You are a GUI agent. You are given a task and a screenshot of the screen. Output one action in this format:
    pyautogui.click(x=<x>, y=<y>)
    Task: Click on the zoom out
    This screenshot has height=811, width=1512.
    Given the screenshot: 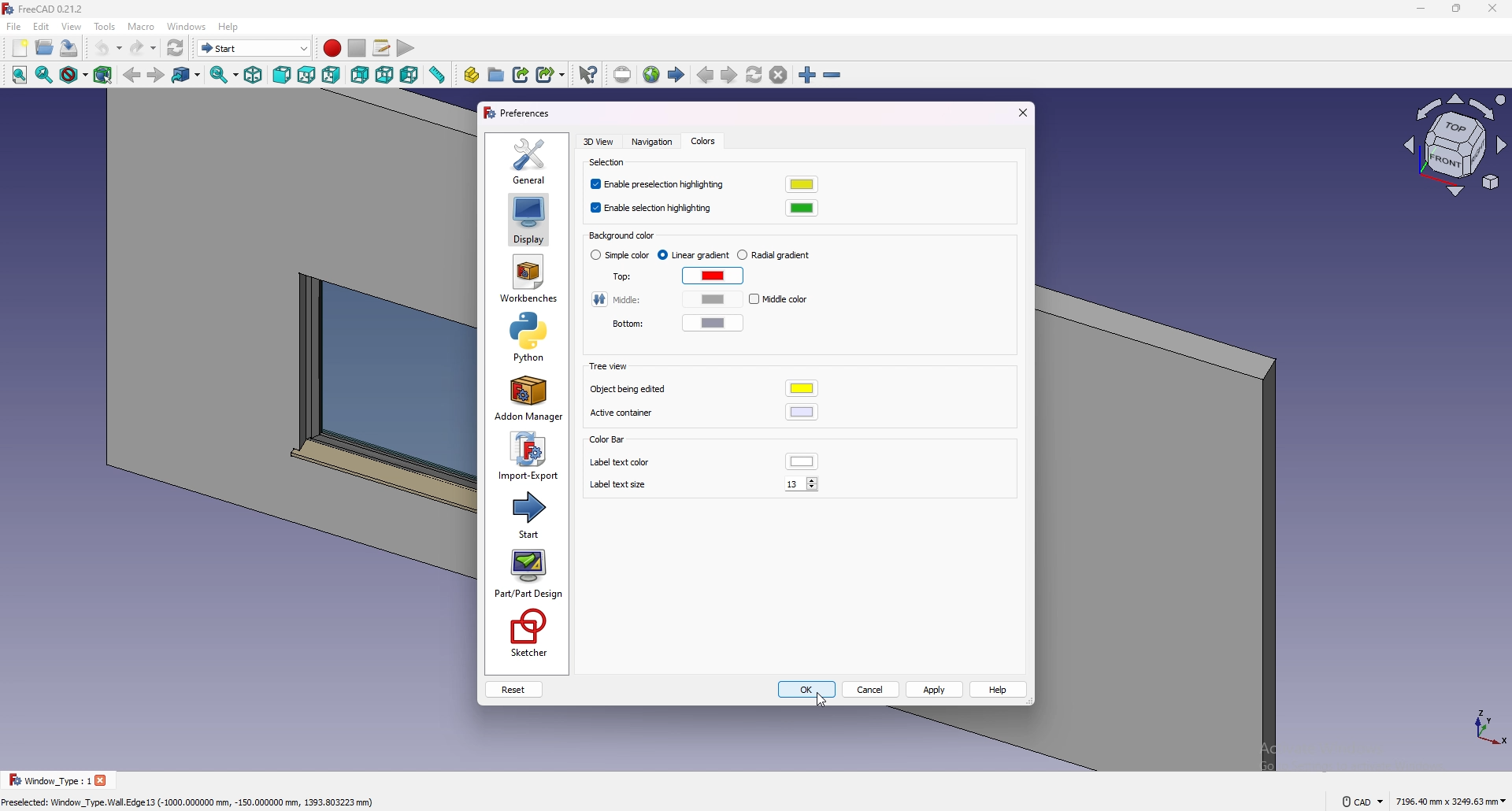 What is the action you would take?
    pyautogui.click(x=832, y=76)
    